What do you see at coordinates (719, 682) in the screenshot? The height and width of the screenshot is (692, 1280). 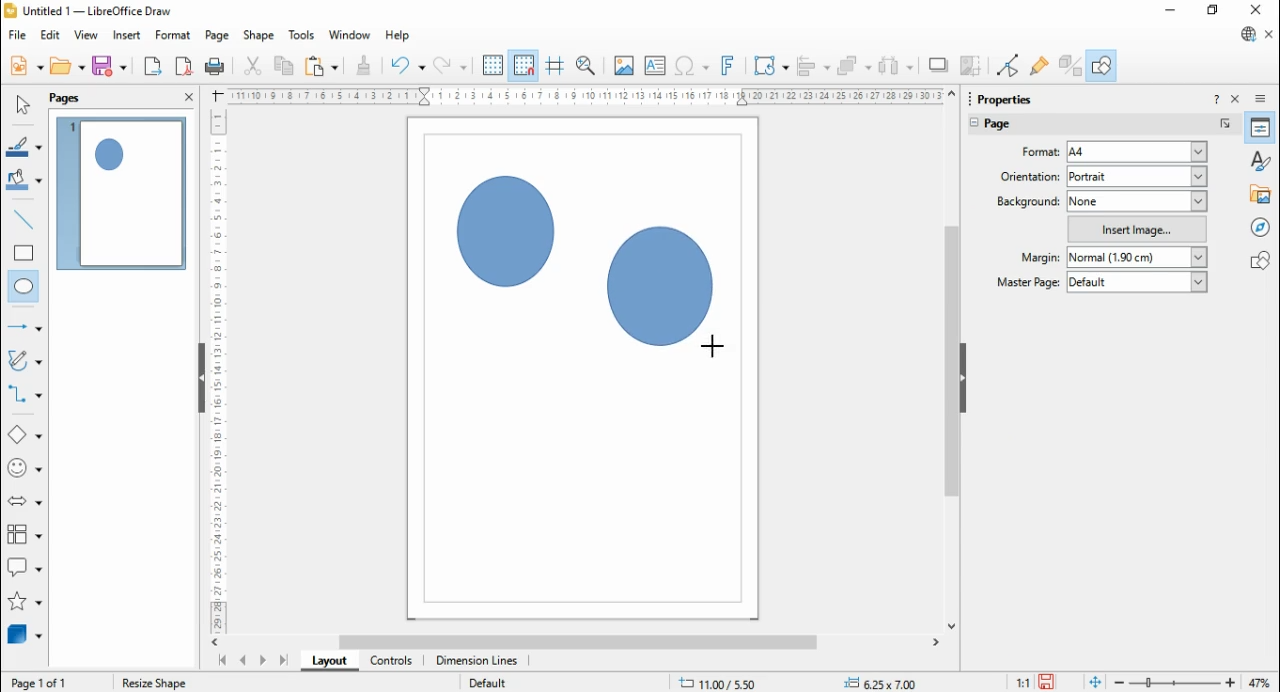 I see ` .11.58/ 13.41` at bounding box center [719, 682].